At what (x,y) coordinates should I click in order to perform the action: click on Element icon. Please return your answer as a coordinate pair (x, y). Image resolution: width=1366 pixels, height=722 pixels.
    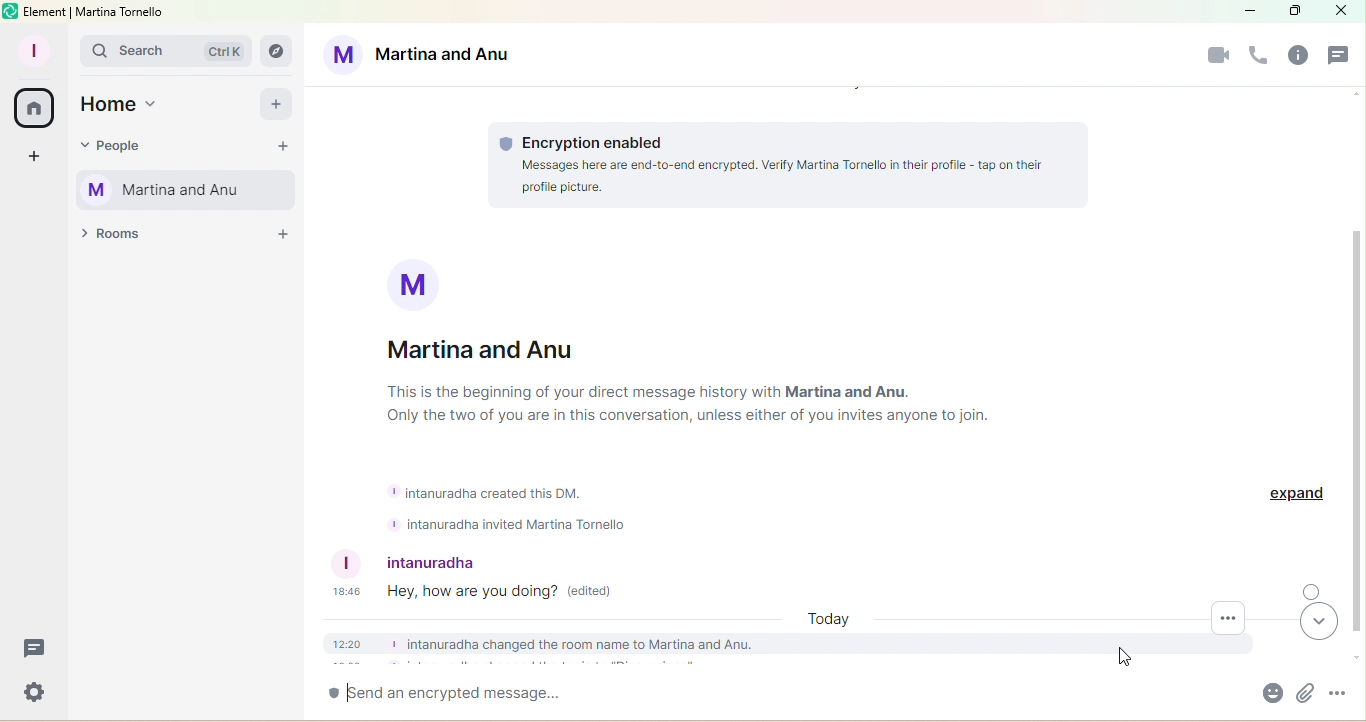
    Looking at the image, I should click on (9, 10).